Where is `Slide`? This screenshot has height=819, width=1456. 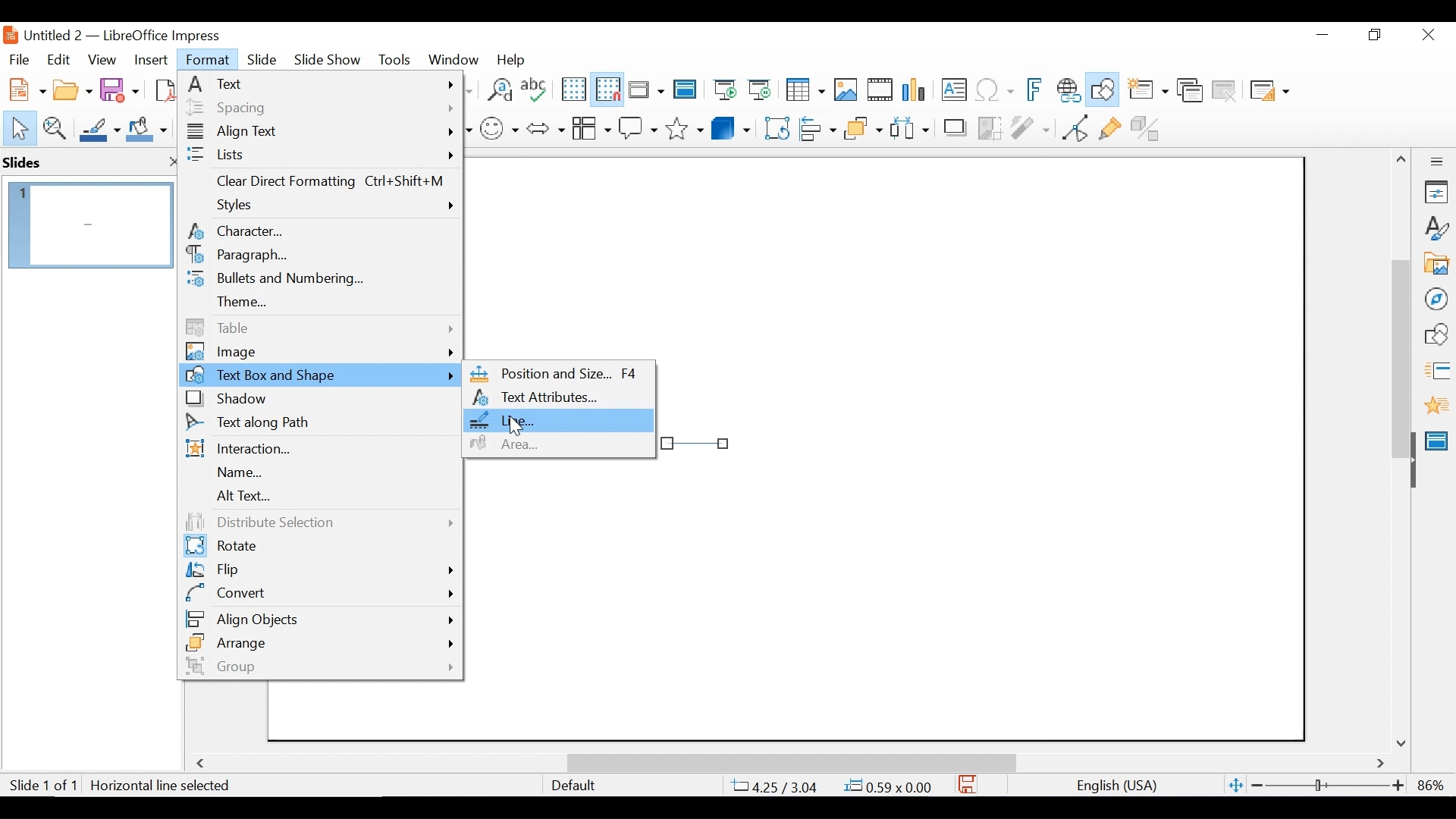
Slide is located at coordinates (262, 58).